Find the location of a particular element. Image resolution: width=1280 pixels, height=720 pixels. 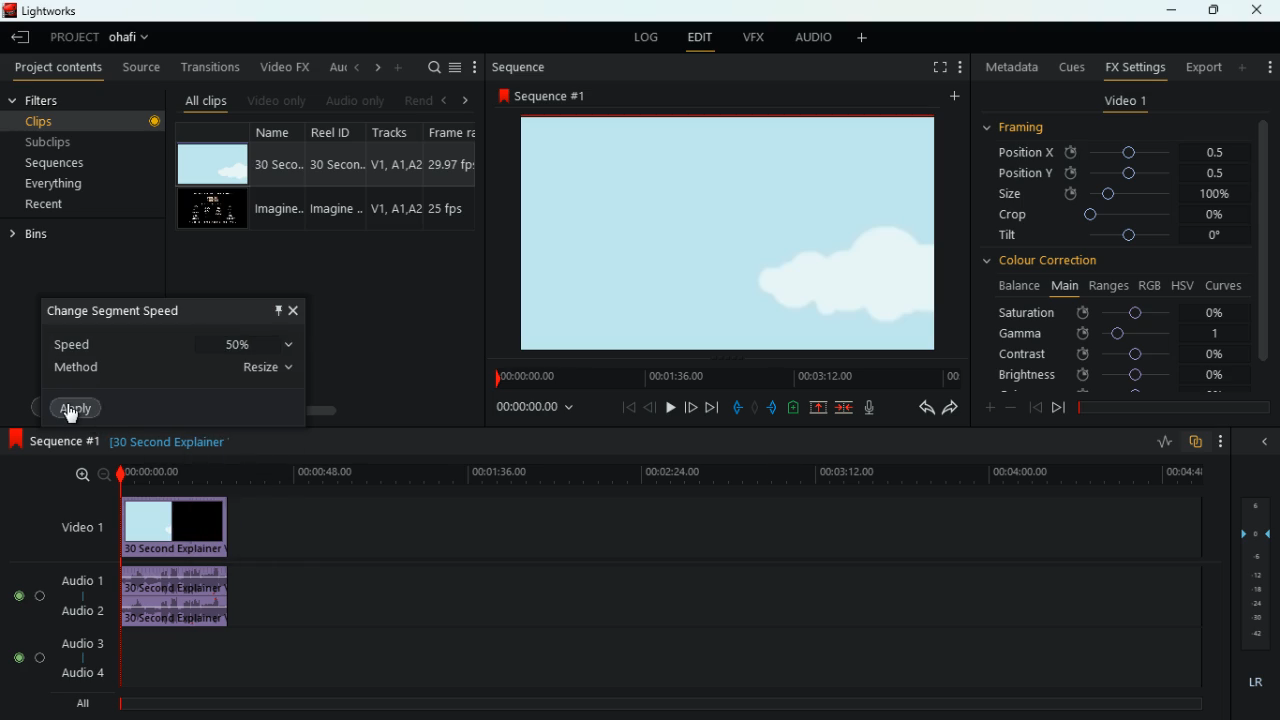

rgb is located at coordinates (1151, 284).